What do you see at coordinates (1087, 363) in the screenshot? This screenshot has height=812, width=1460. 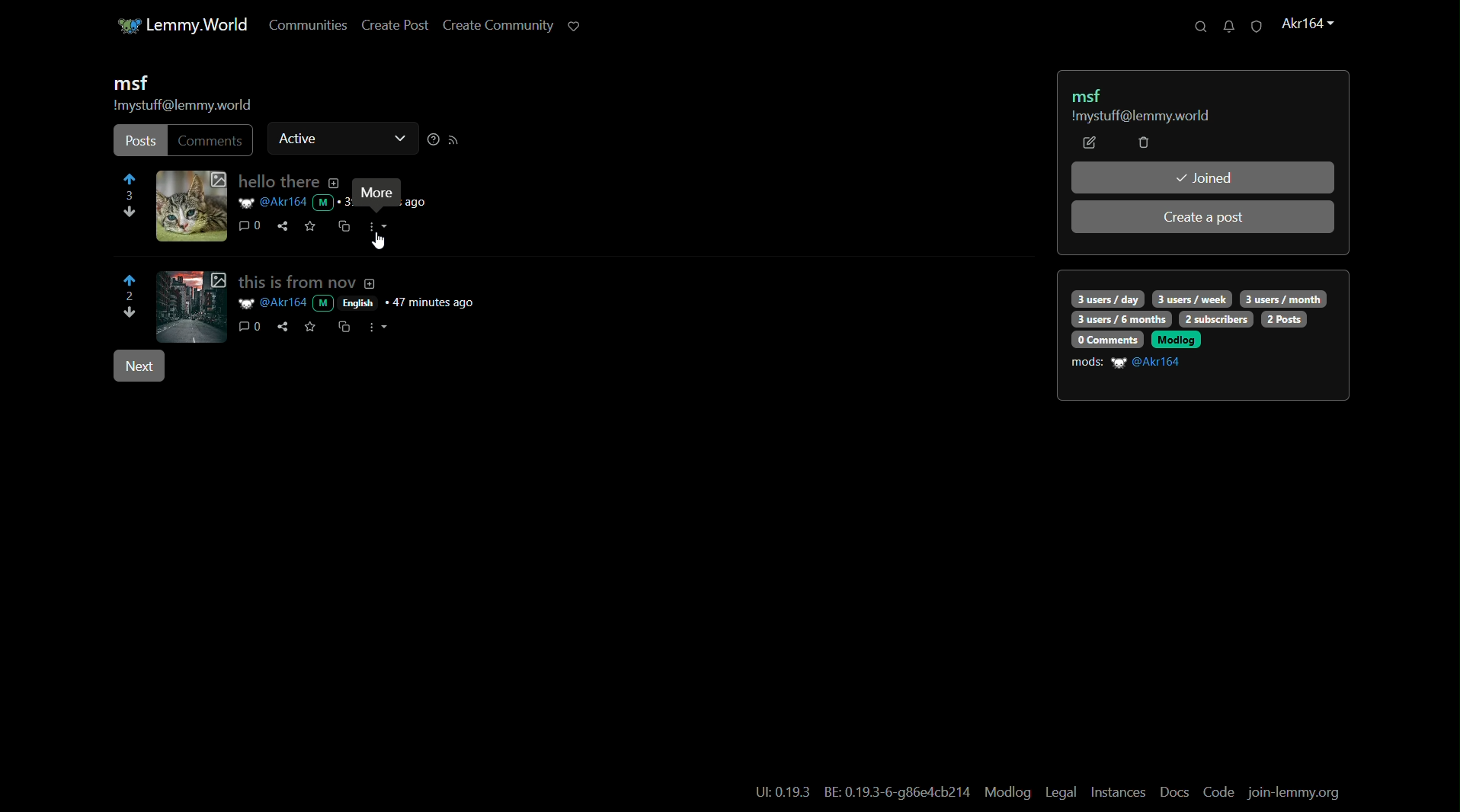 I see `mods` at bounding box center [1087, 363].